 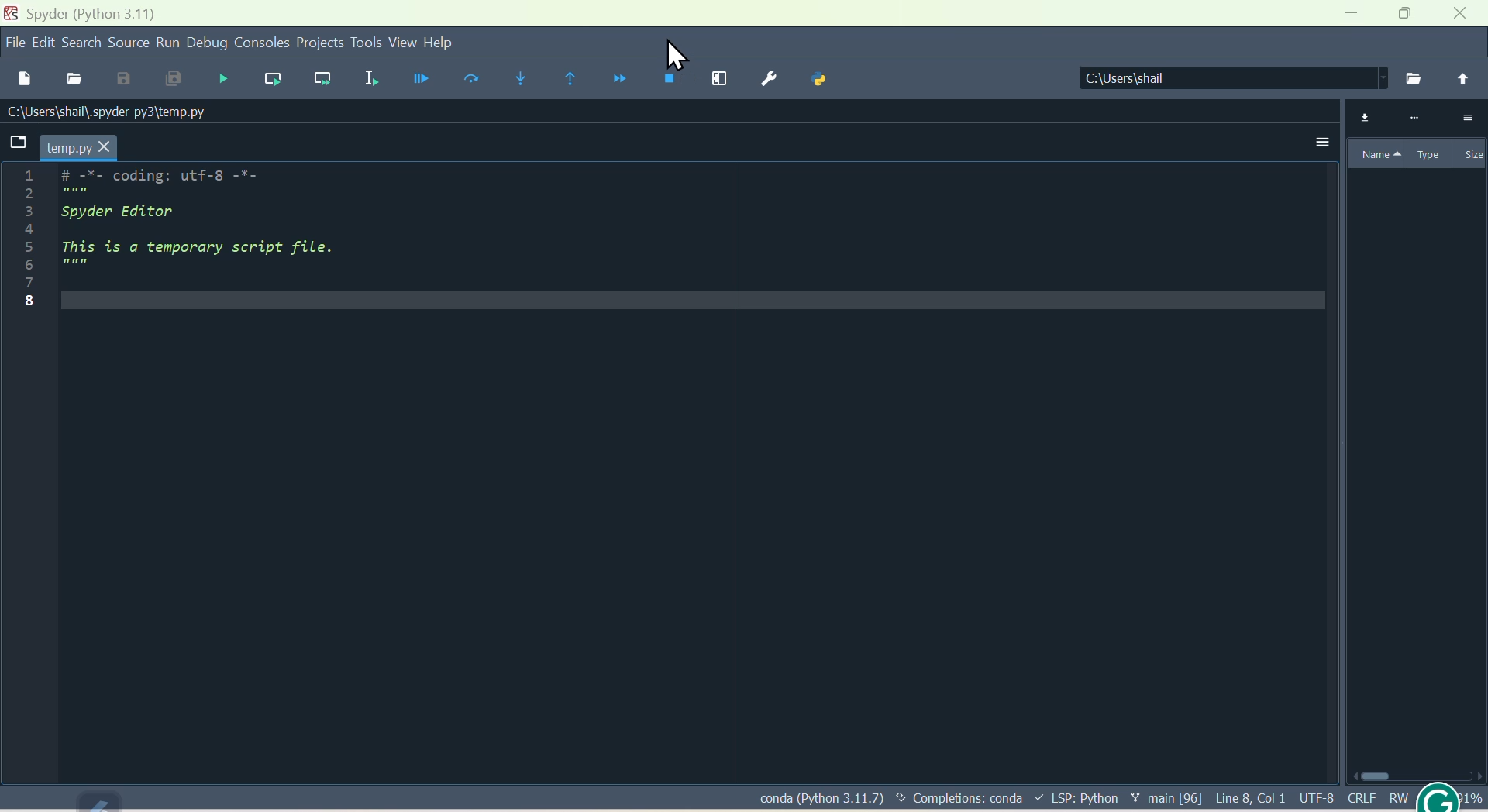 What do you see at coordinates (177, 234) in the screenshot?
I see `code - # -*- coding: utf-8 2 3 Spyder Editor 4 5 This is a temporary script file.  """` at bounding box center [177, 234].